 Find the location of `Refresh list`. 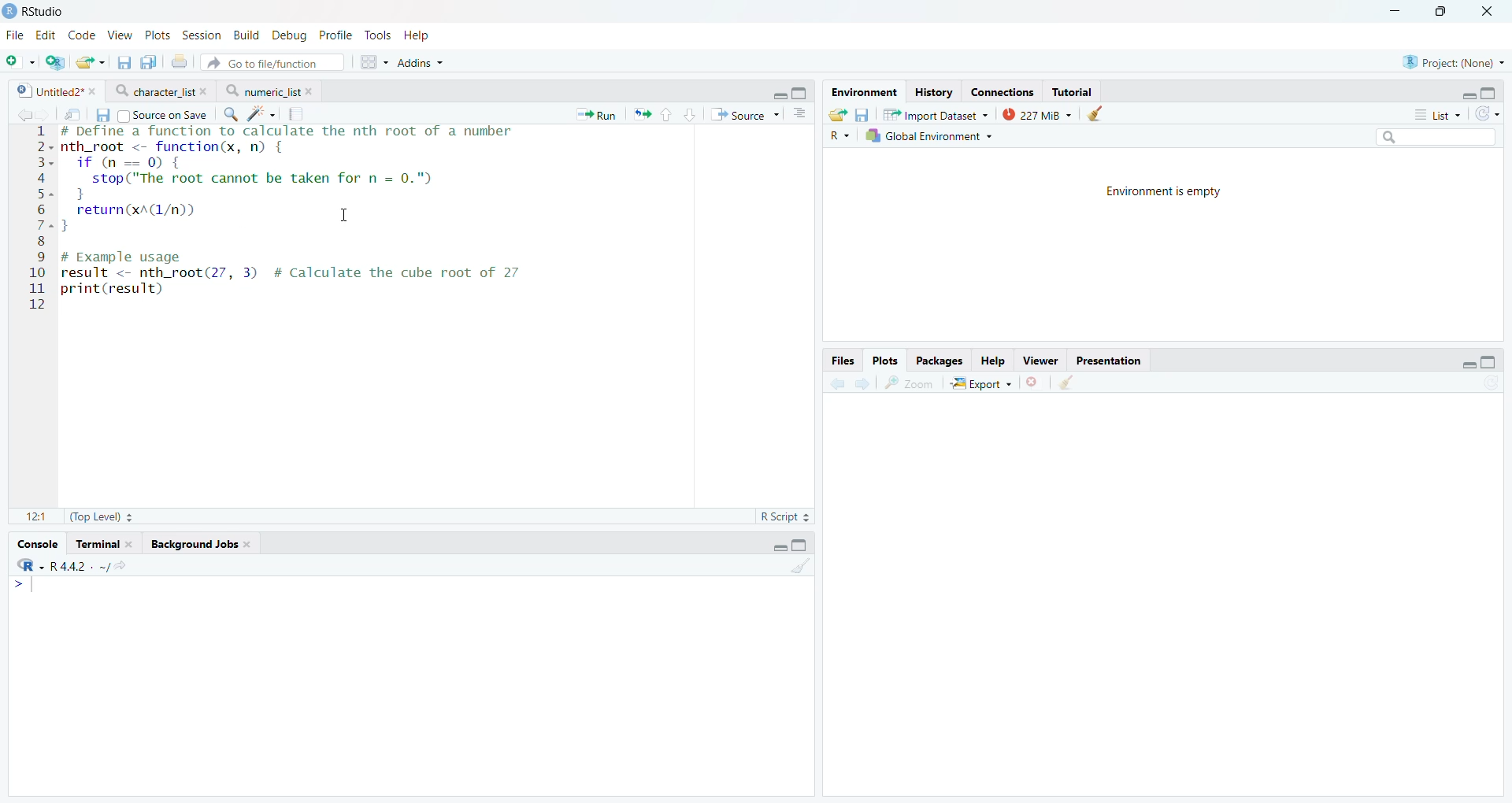

Refresh list is located at coordinates (1489, 383).